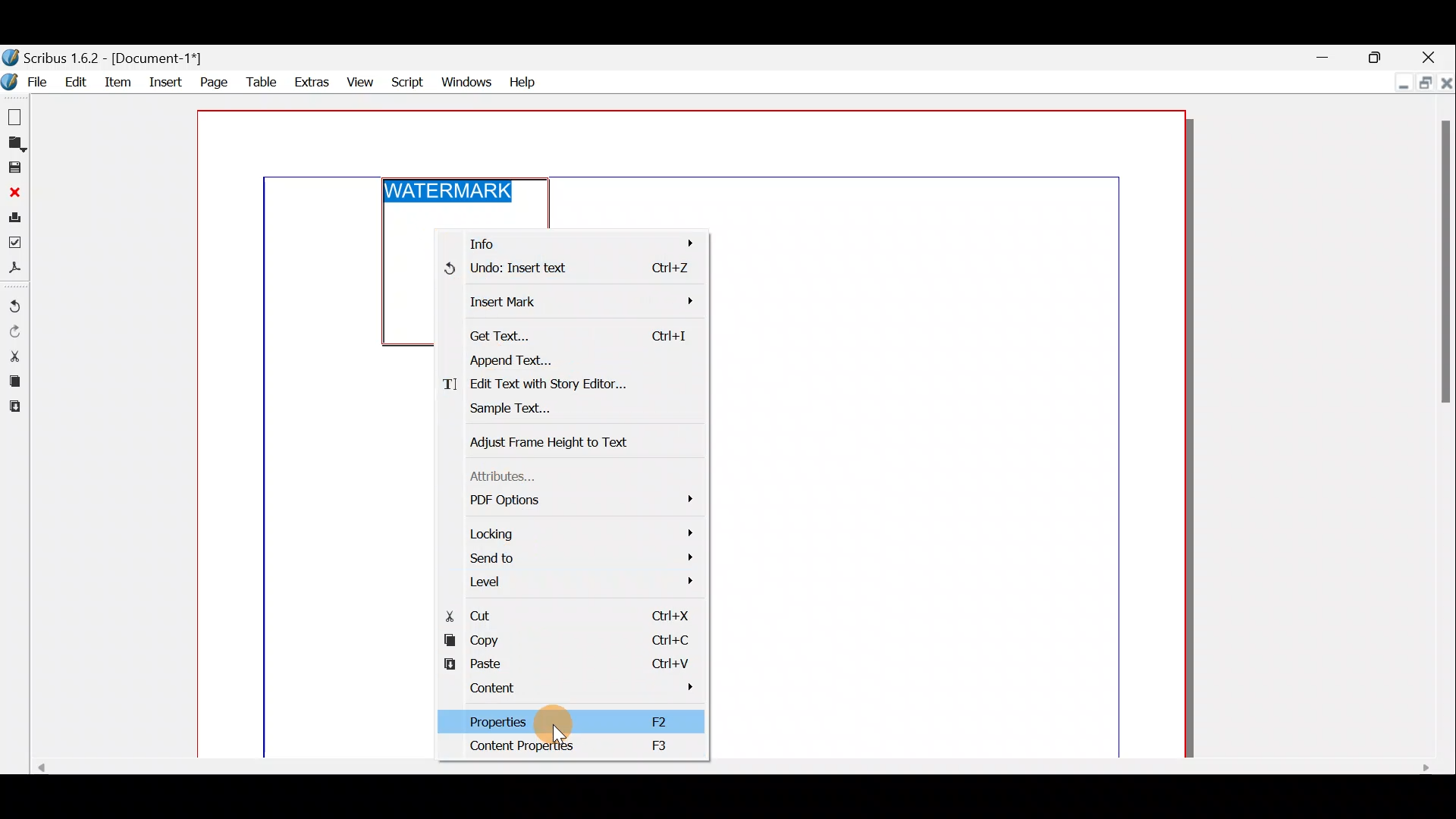 Image resolution: width=1456 pixels, height=819 pixels. I want to click on Locking, so click(574, 533).